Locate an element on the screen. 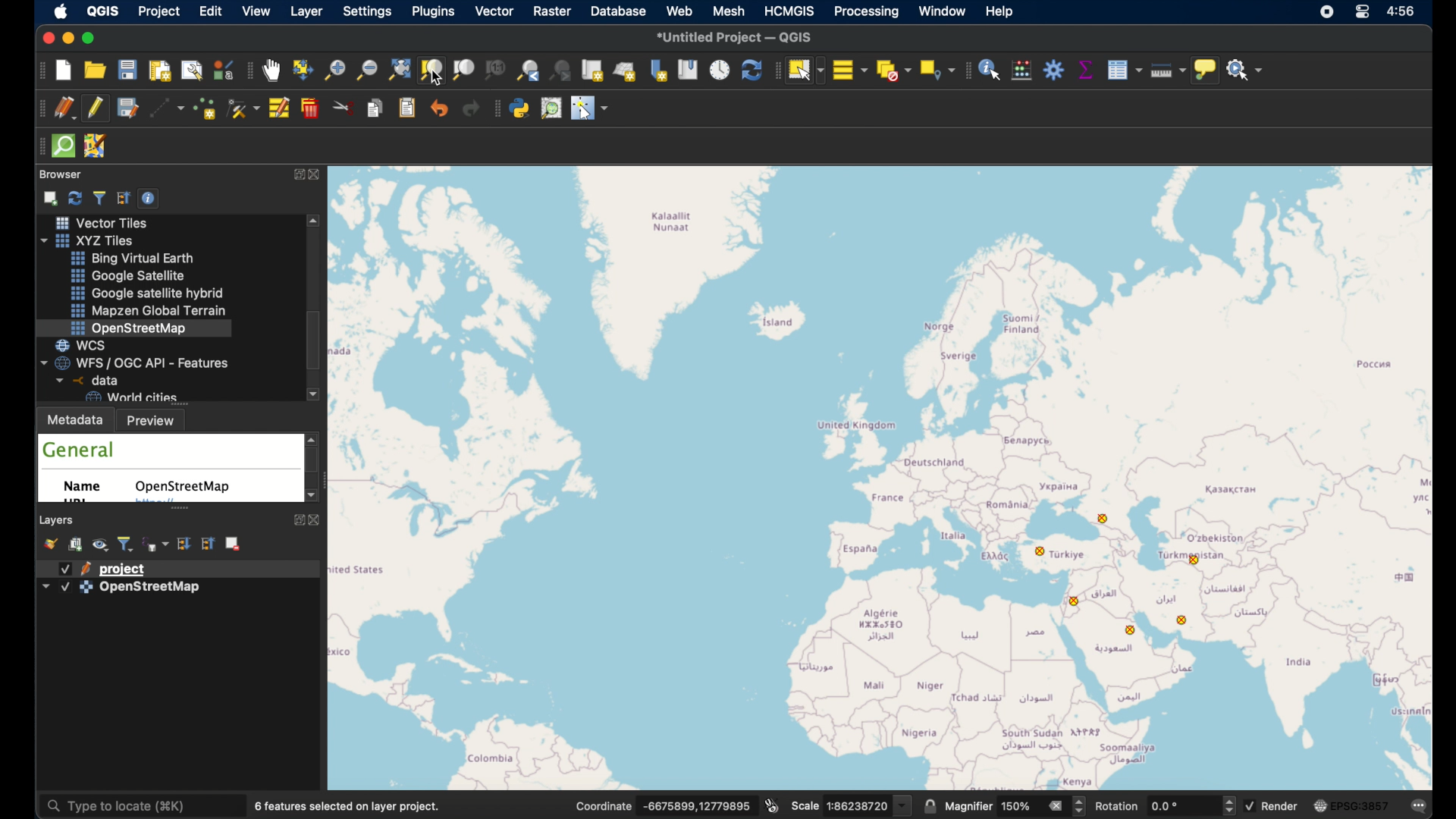 This screenshot has height=819, width=1456. save project is located at coordinates (127, 108).